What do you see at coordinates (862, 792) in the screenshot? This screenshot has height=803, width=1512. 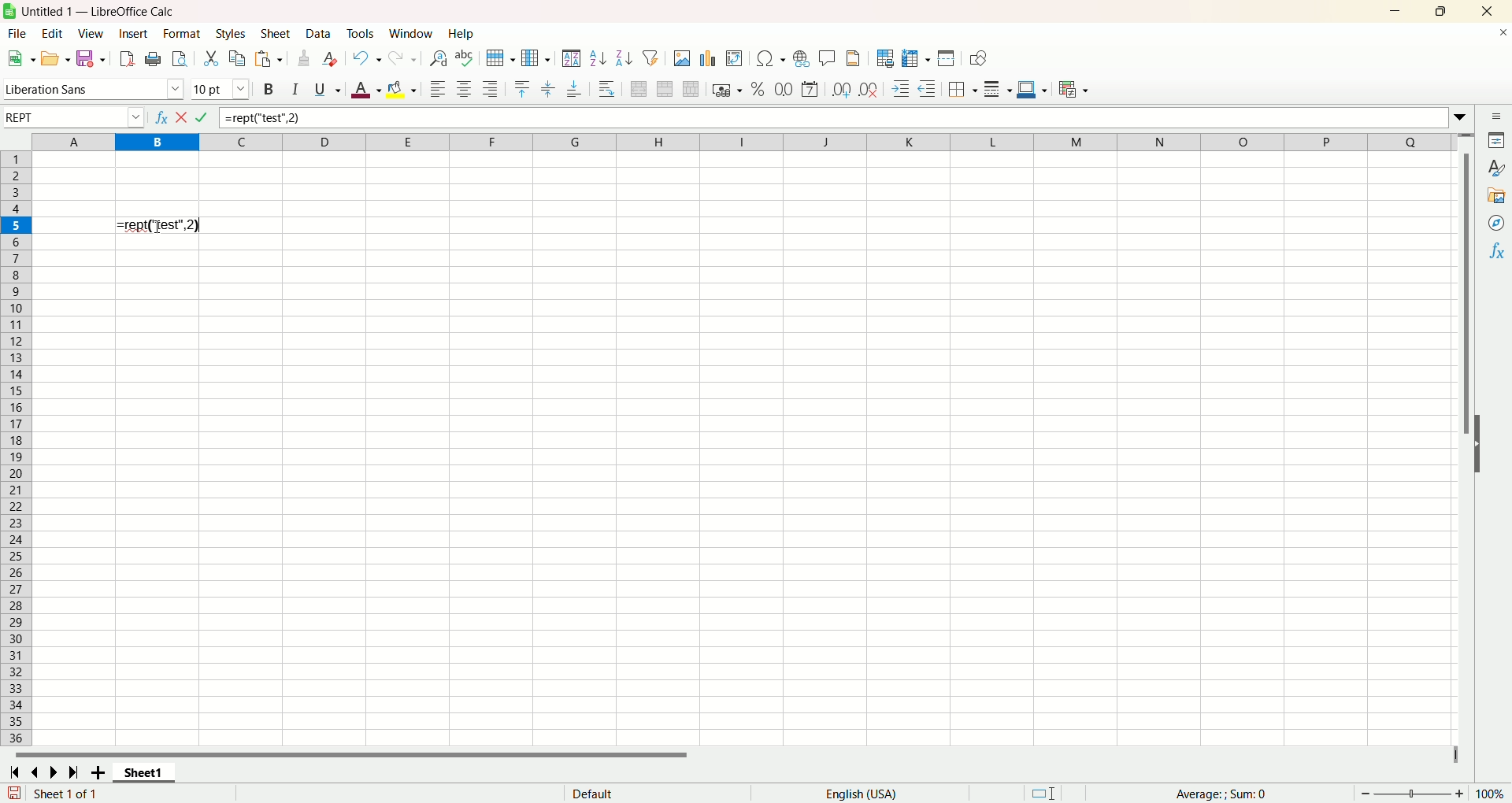 I see `language` at bounding box center [862, 792].